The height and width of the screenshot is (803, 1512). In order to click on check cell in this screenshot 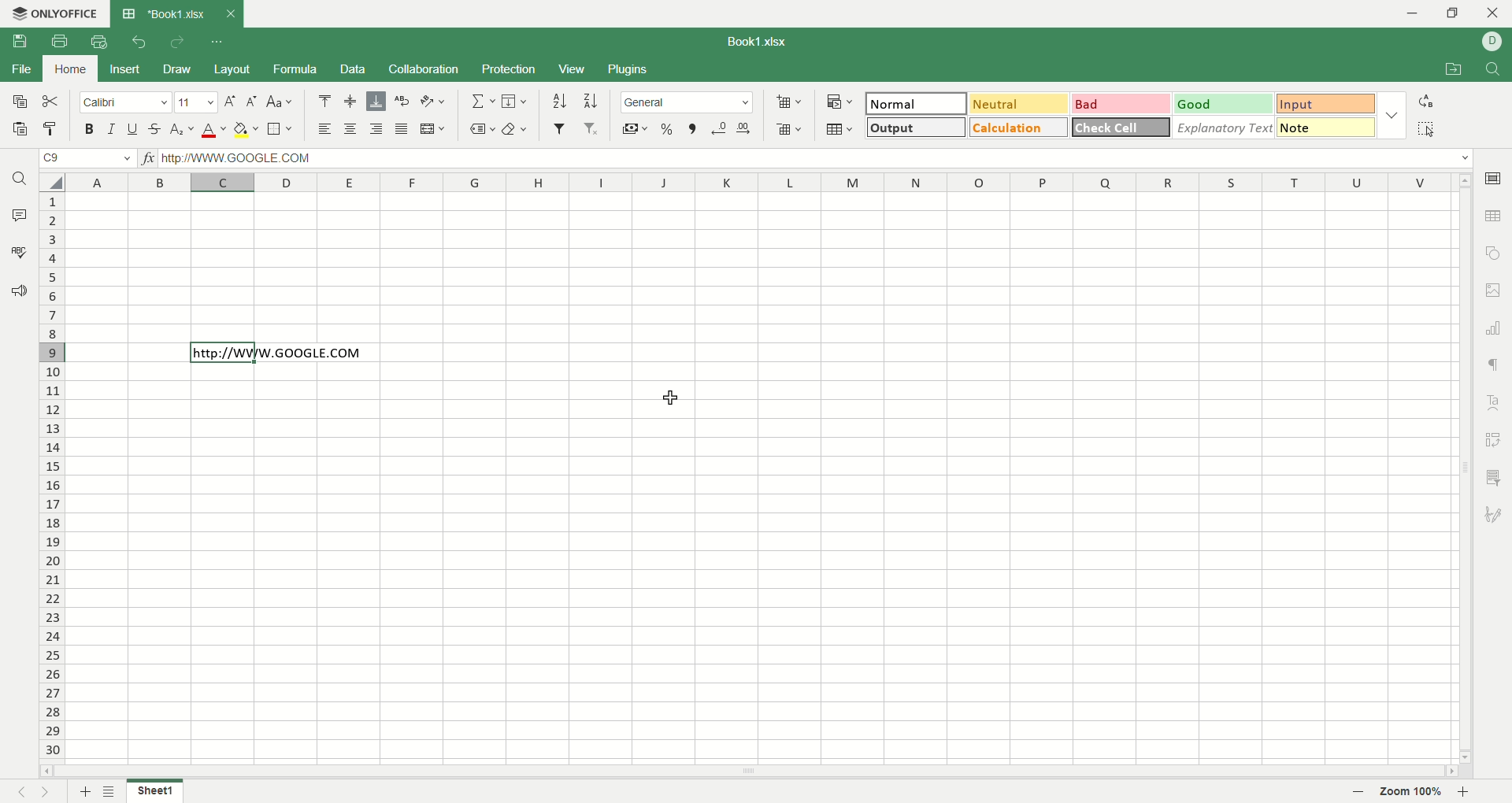, I will do `click(1120, 128)`.